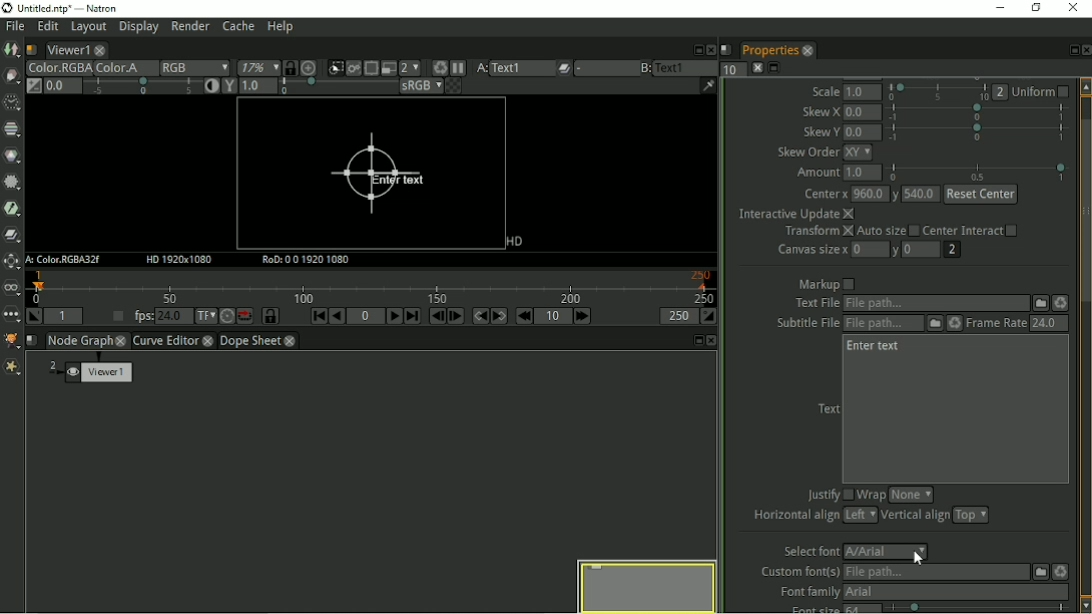 Image resolution: width=1092 pixels, height=614 pixels. I want to click on text1, so click(522, 68).